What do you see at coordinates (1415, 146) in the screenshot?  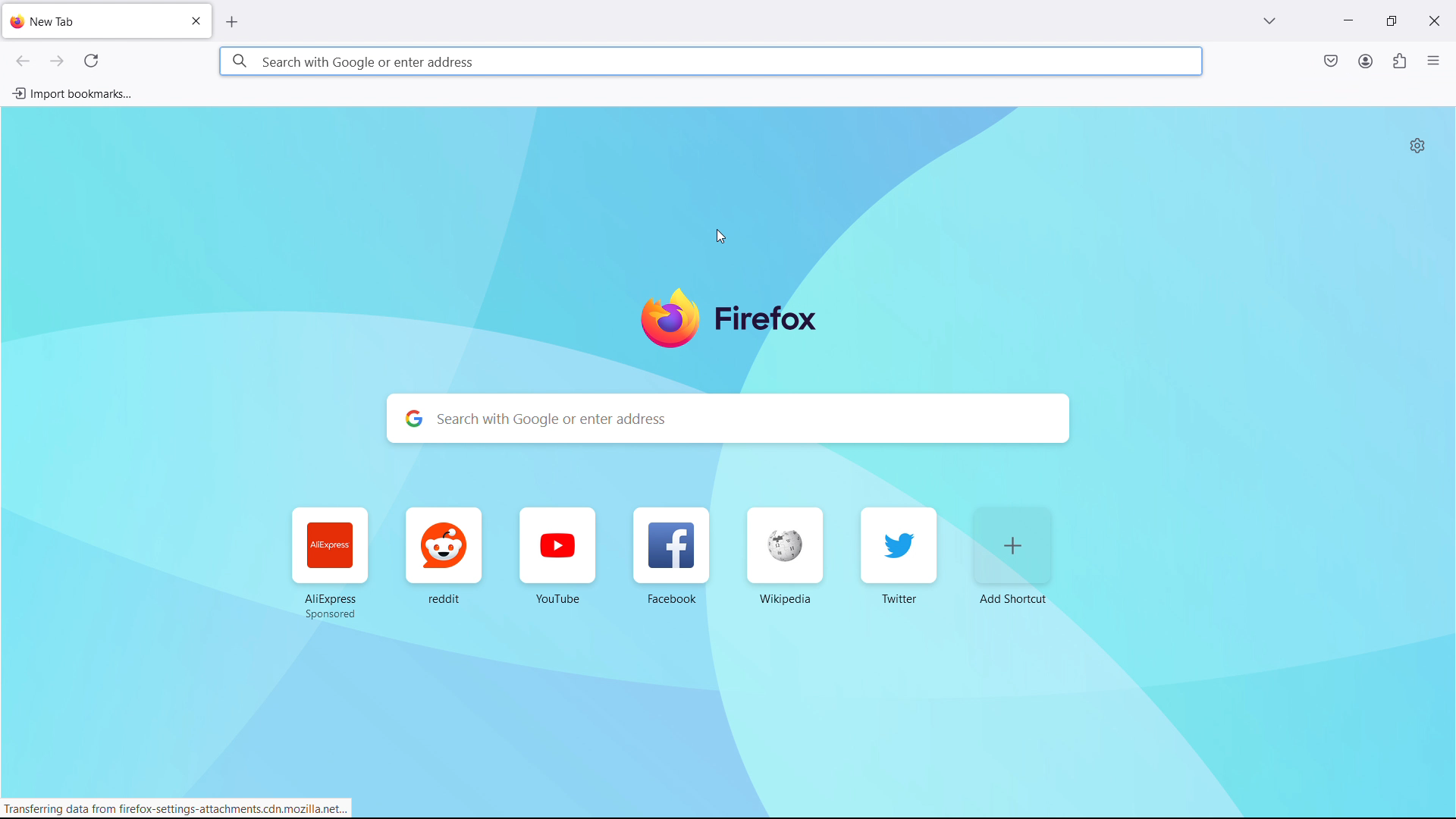 I see `personalize new tab` at bounding box center [1415, 146].